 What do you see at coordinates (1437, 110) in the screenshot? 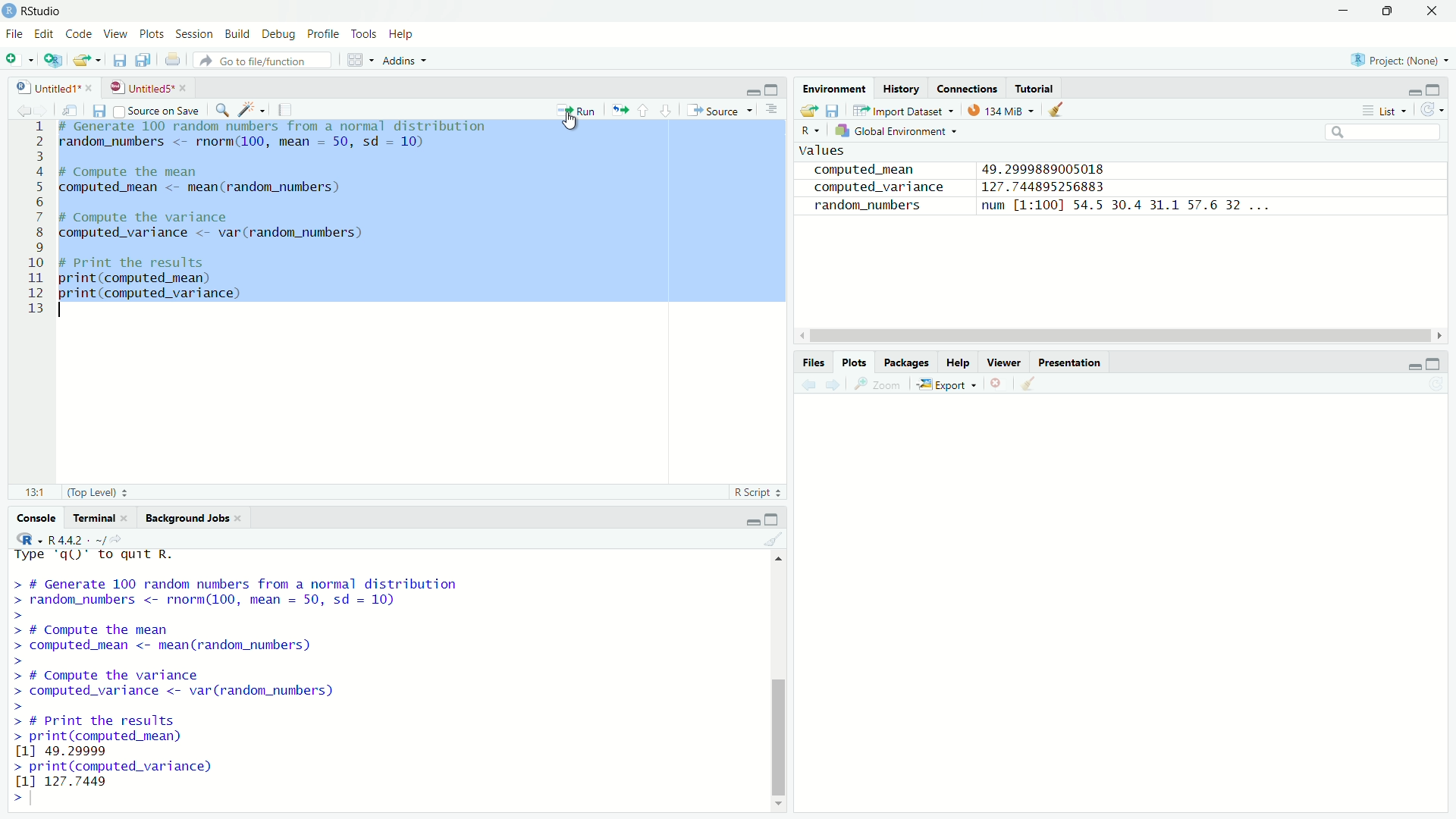
I see `refresh the list of objects in the environment` at bounding box center [1437, 110].